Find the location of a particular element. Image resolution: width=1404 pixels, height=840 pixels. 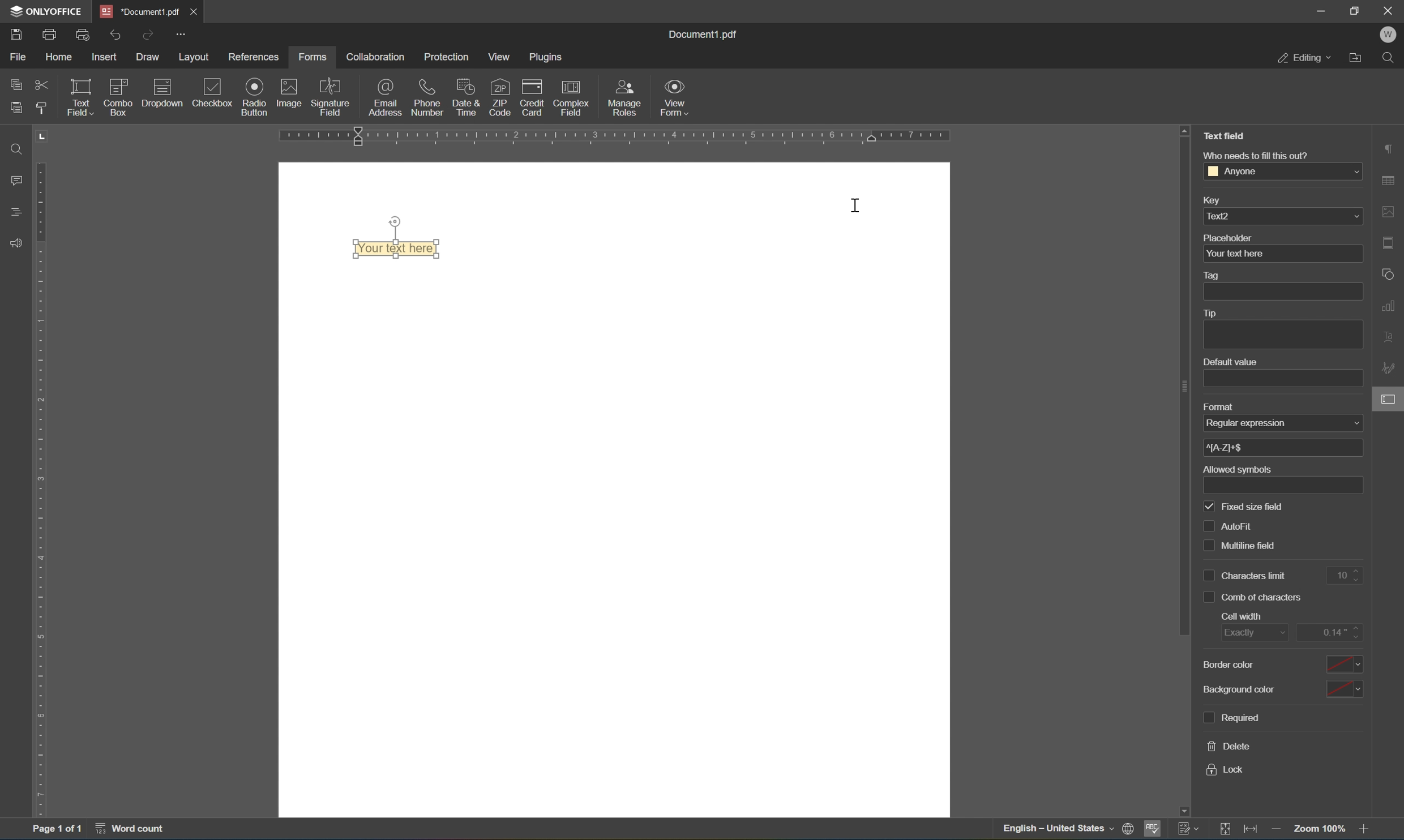

shape settings is located at coordinates (1386, 273).